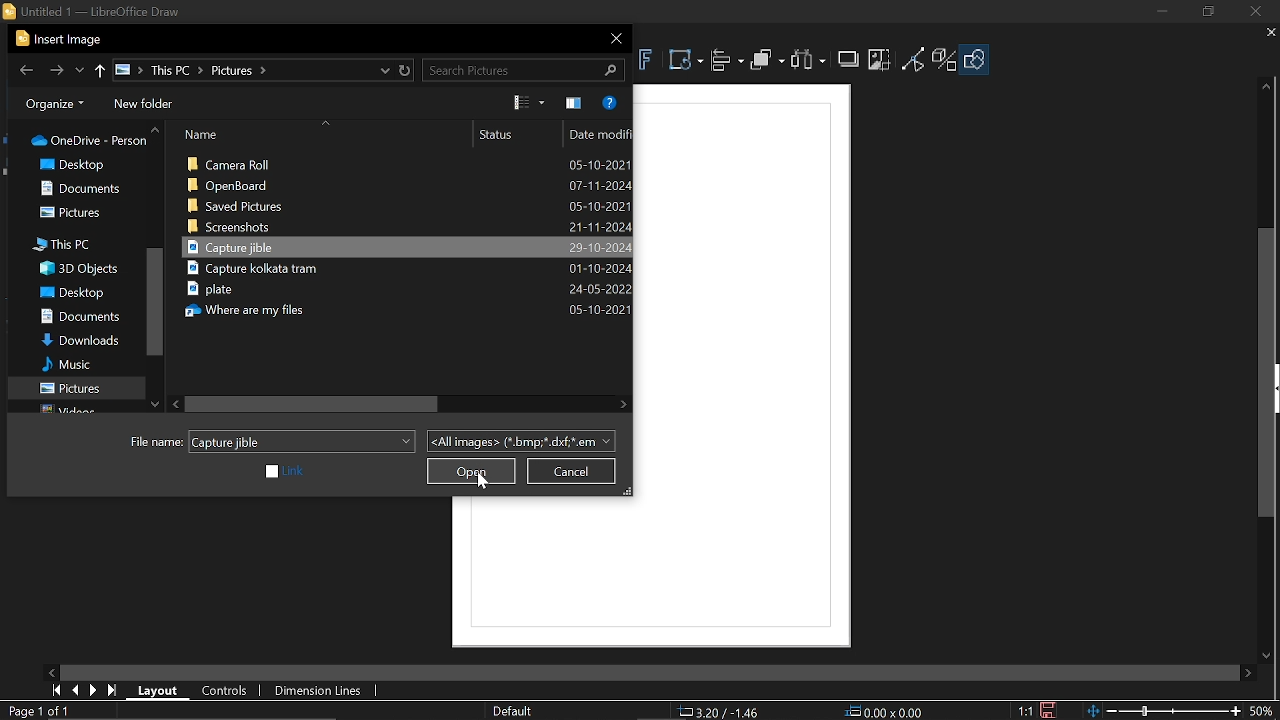 Image resolution: width=1280 pixels, height=720 pixels. What do you see at coordinates (54, 690) in the screenshot?
I see `First page` at bounding box center [54, 690].